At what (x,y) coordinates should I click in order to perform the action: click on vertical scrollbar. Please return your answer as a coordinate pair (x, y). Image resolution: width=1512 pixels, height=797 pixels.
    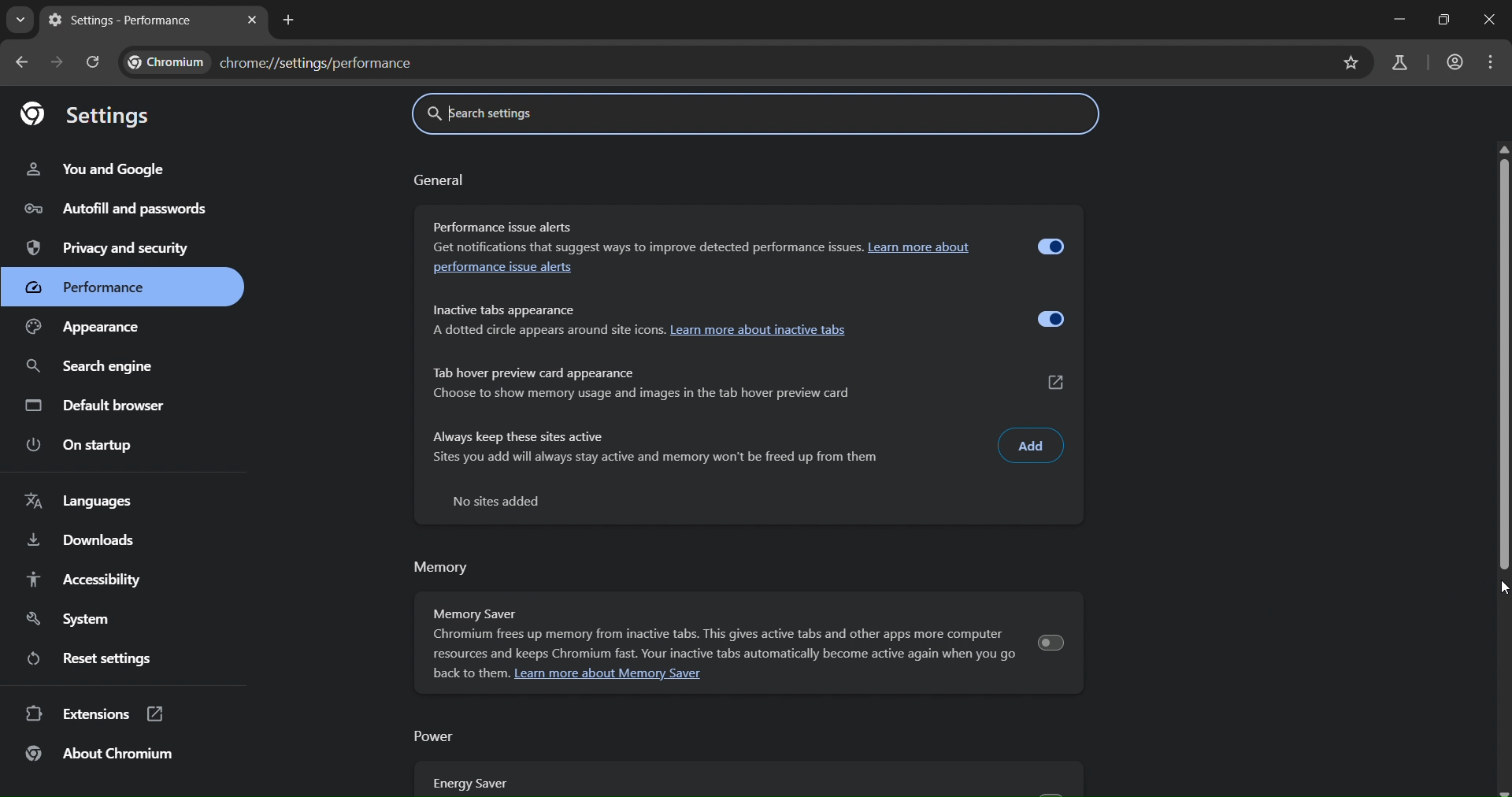
    Looking at the image, I should click on (1503, 439).